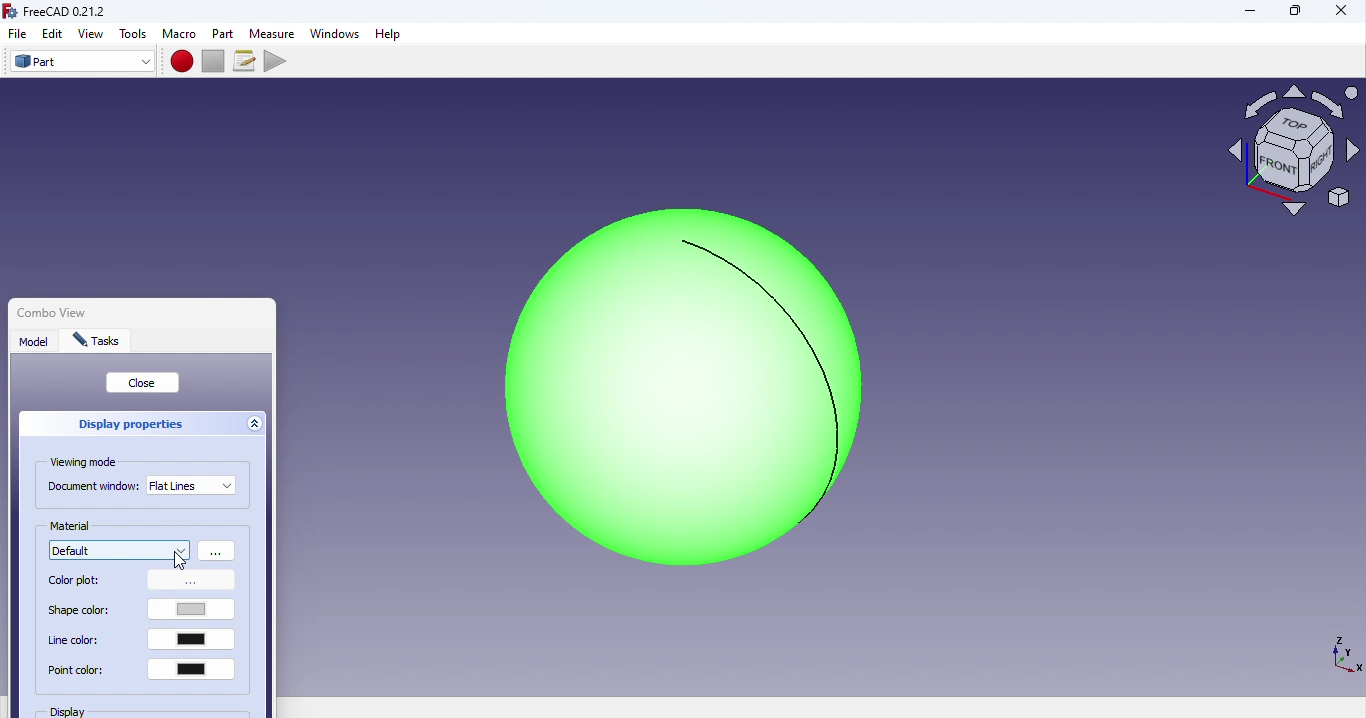 This screenshot has height=718, width=1366. What do you see at coordinates (94, 34) in the screenshot?
I see `View` at bounding box center [94, 34].